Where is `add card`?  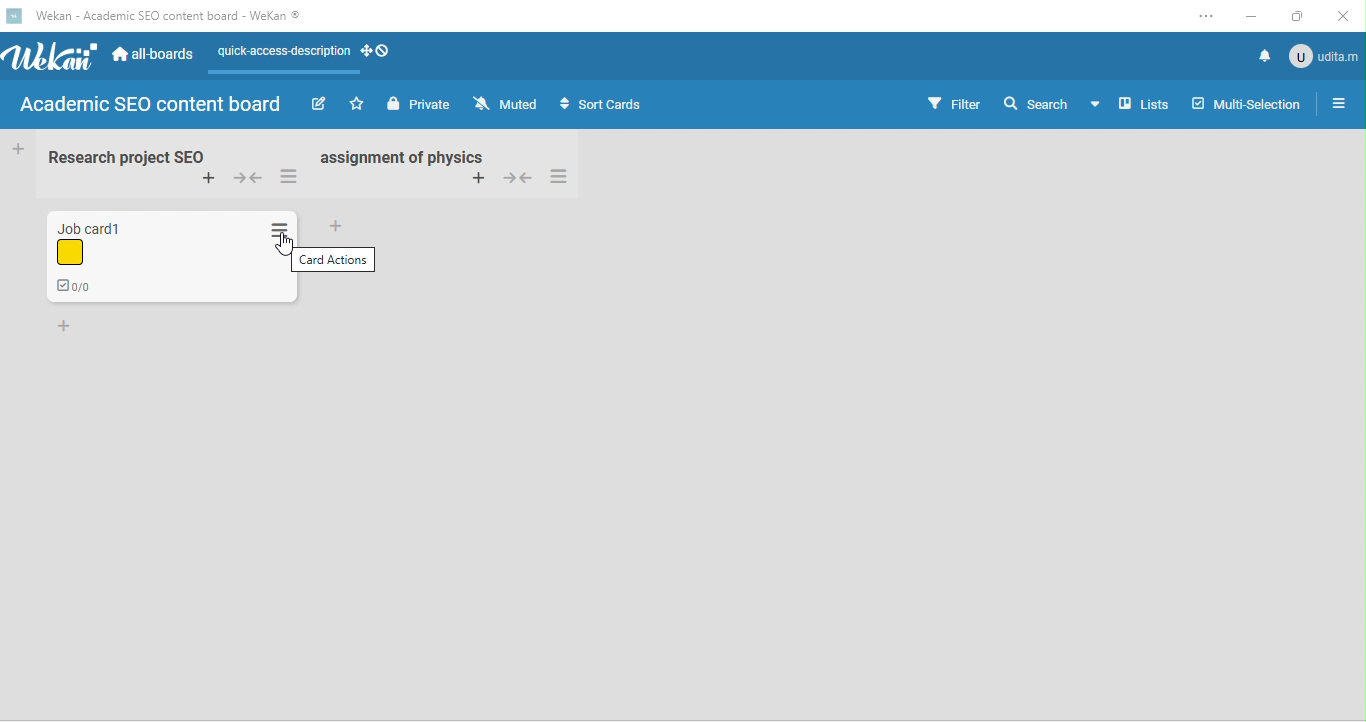
add card is located at coordinates (66, 325).